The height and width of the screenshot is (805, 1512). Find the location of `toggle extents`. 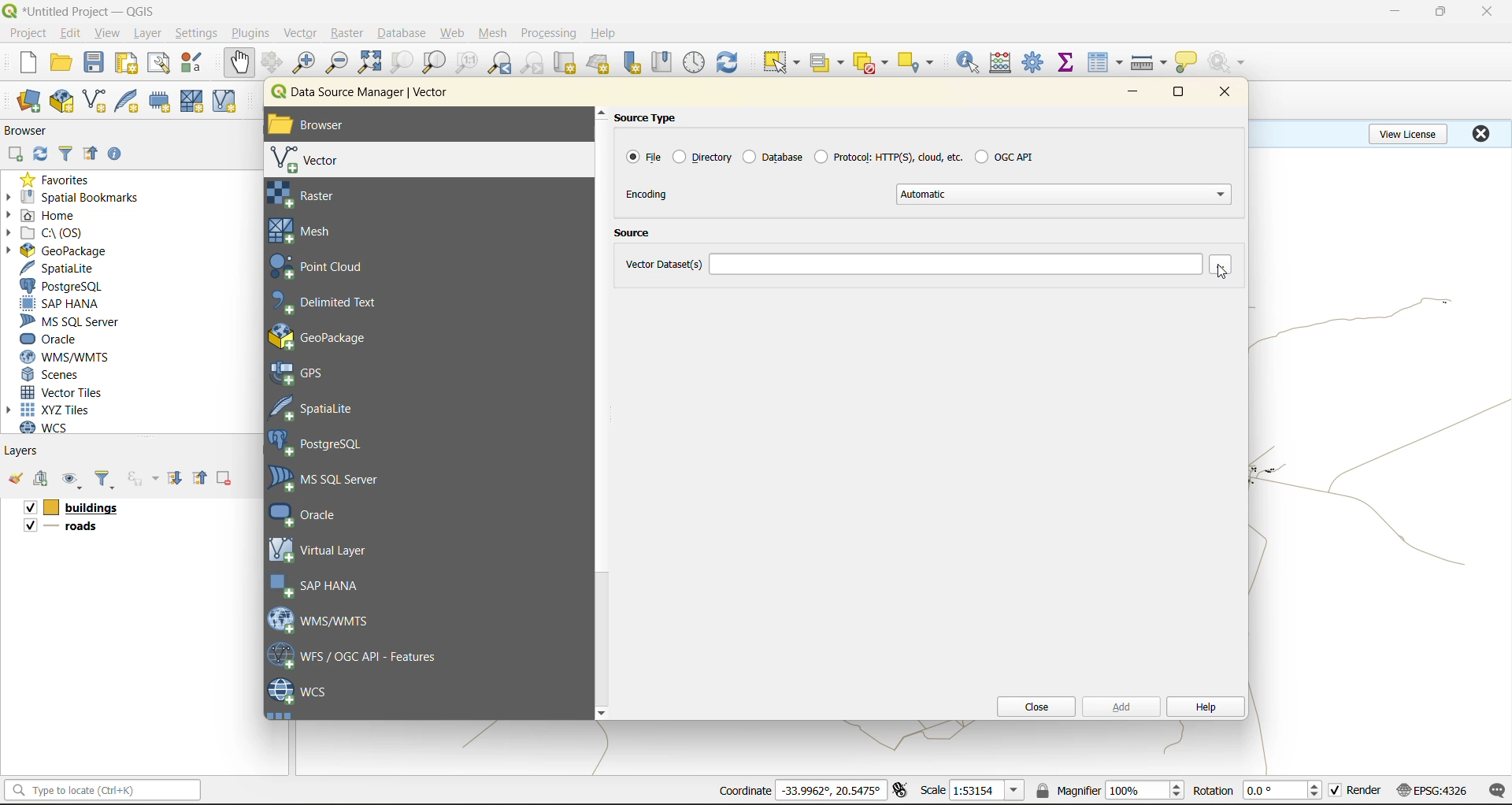

toggle extents is located at coordinates (902, 789).